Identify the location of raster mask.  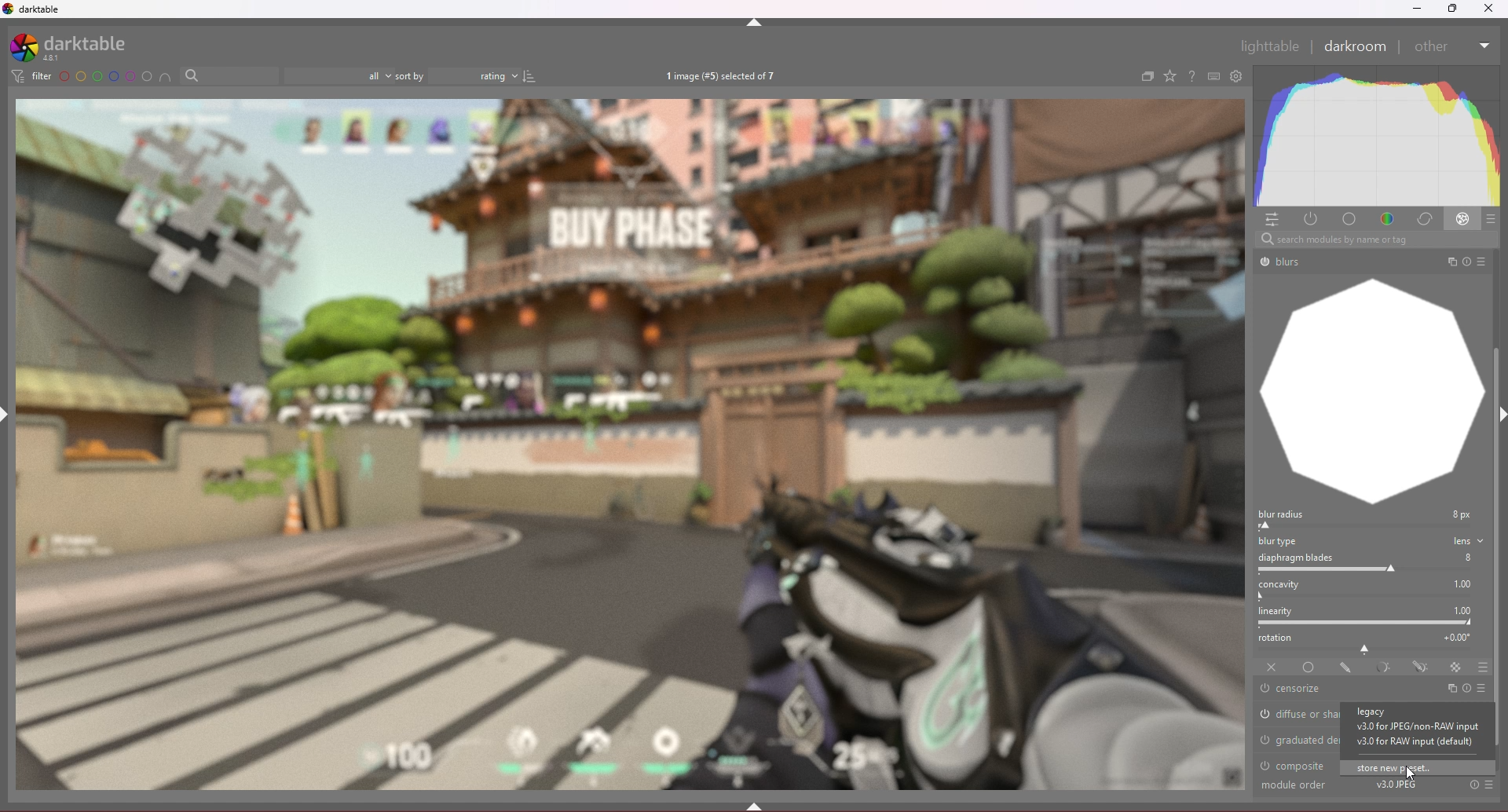
(1455, 667).